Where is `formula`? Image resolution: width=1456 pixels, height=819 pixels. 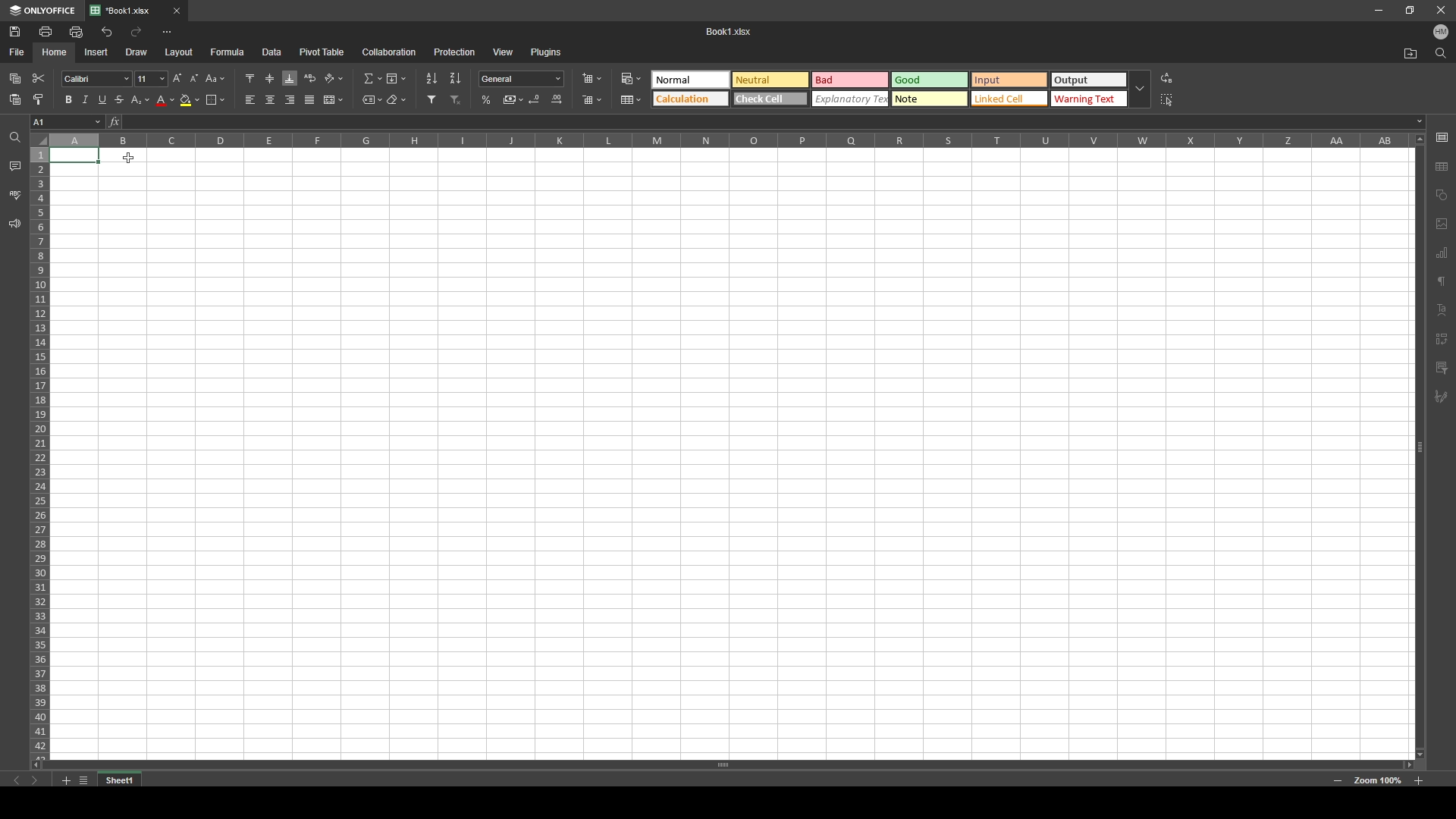
formula is located at coordinates (227, 52).